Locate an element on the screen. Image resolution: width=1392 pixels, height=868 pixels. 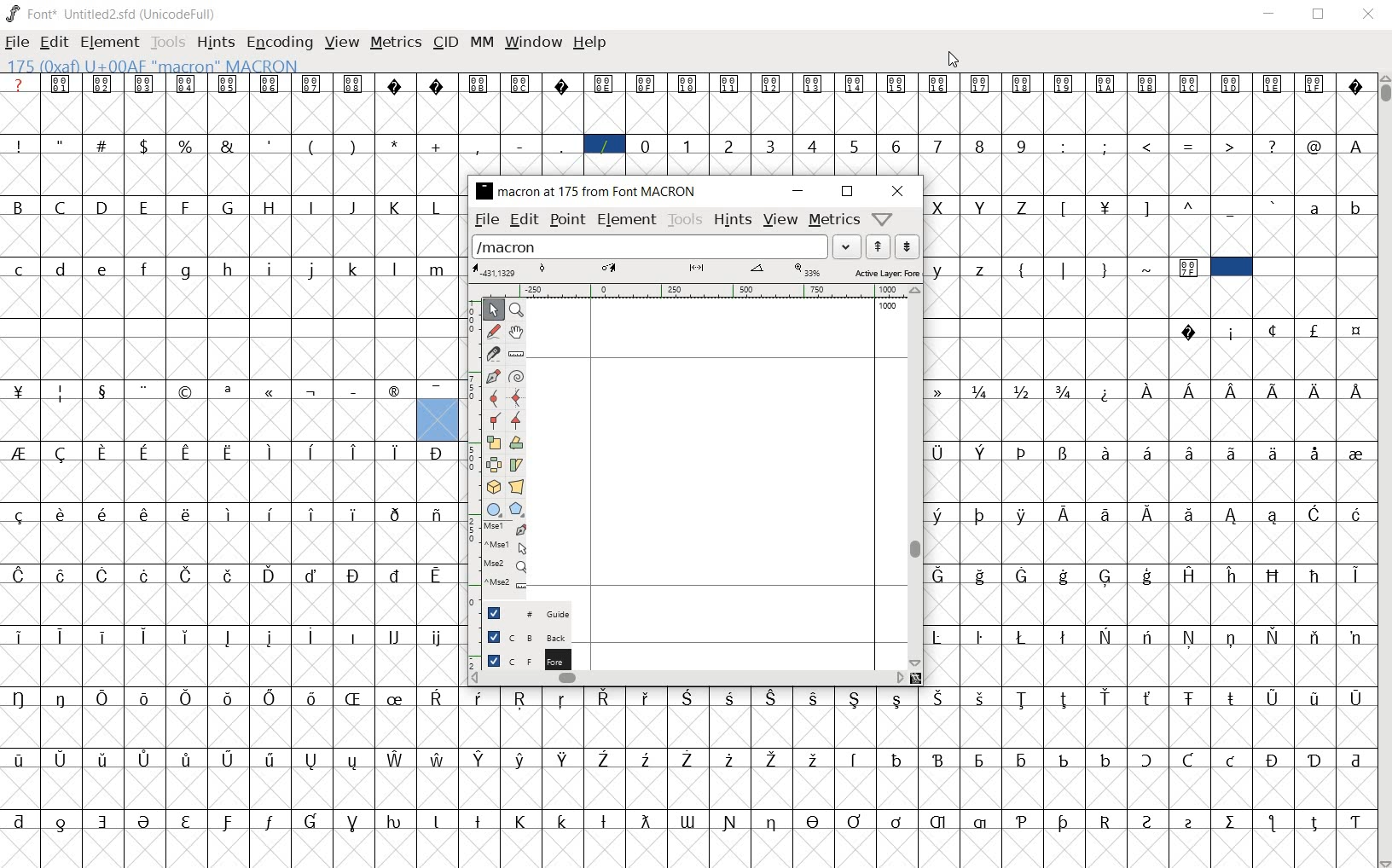
Symbol is located at coordinates (1275, 637).